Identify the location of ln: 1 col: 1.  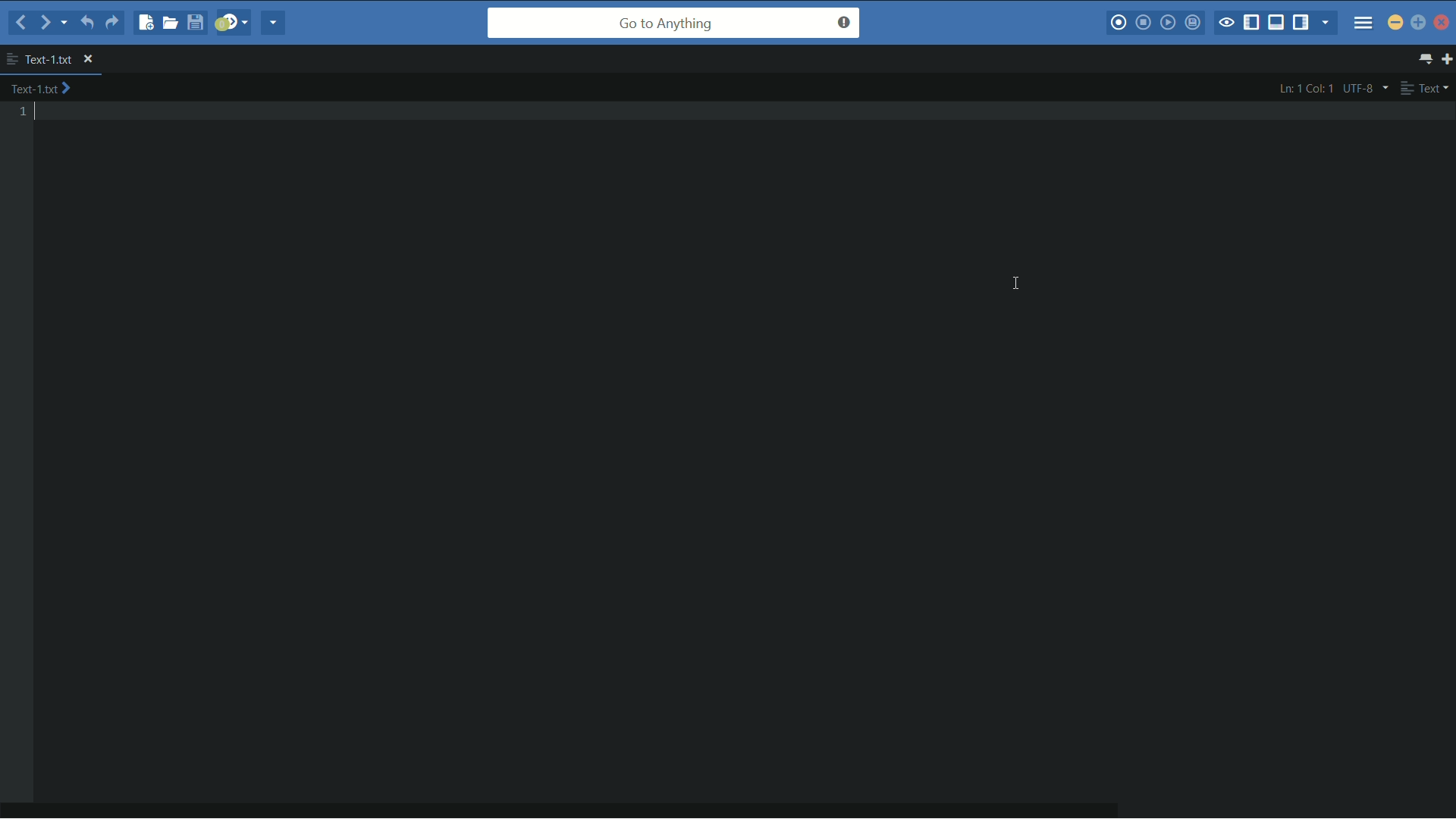
(1307, 89).